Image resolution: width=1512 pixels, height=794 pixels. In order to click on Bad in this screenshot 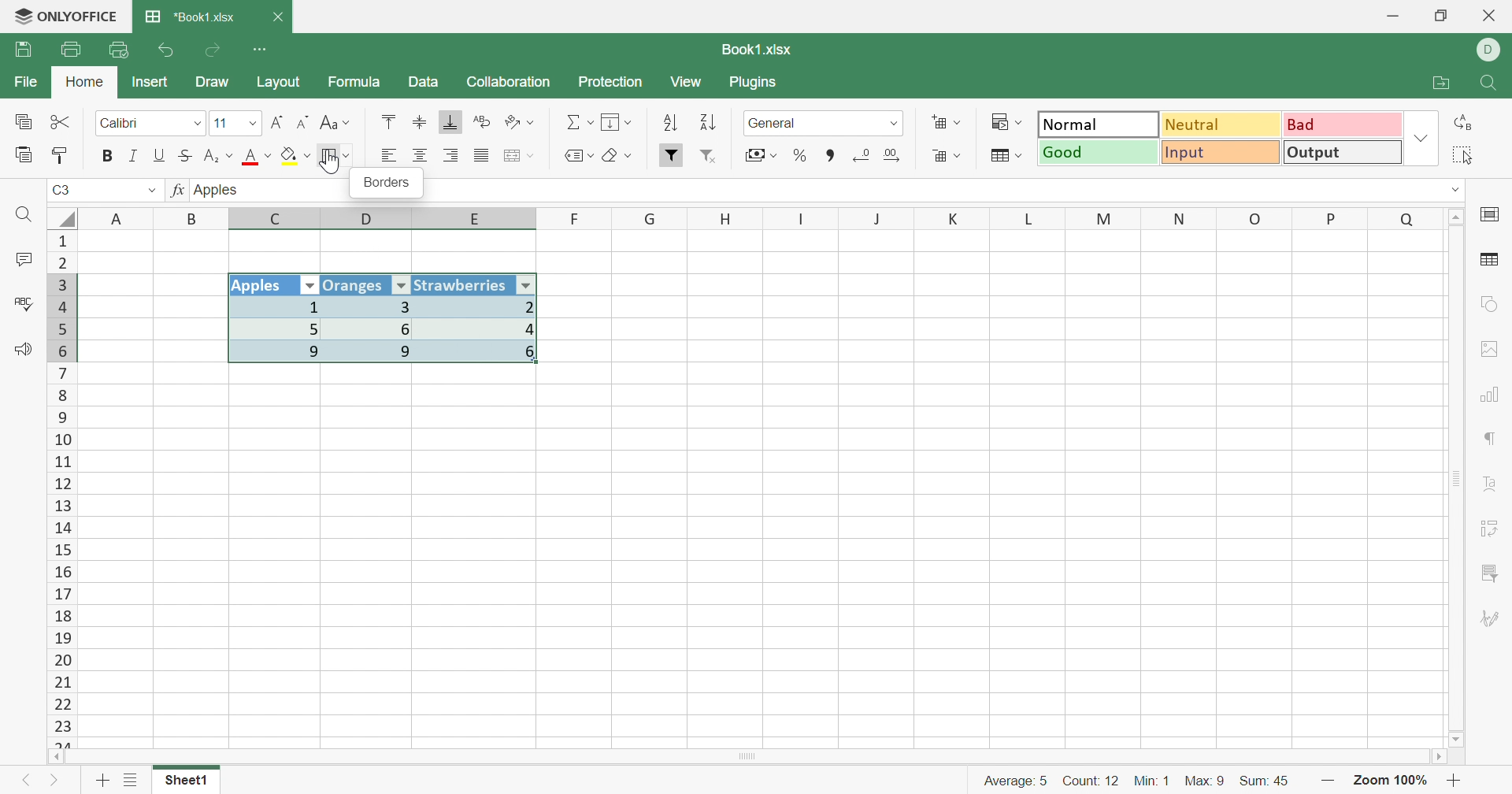, I will do `click(1340, 124)`.